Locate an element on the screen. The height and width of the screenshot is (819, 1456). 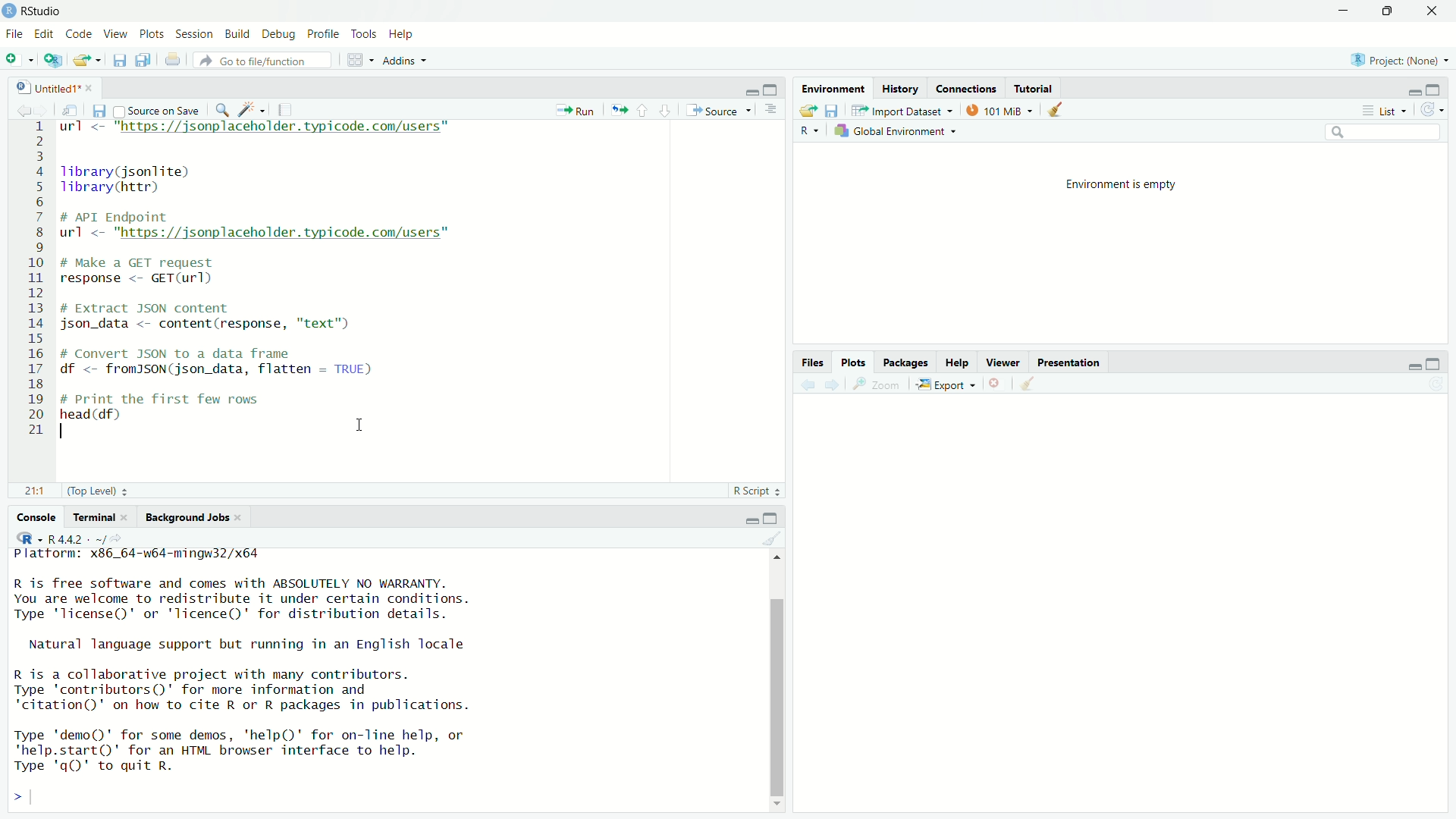
Move right is located at coordinates (24, 799).